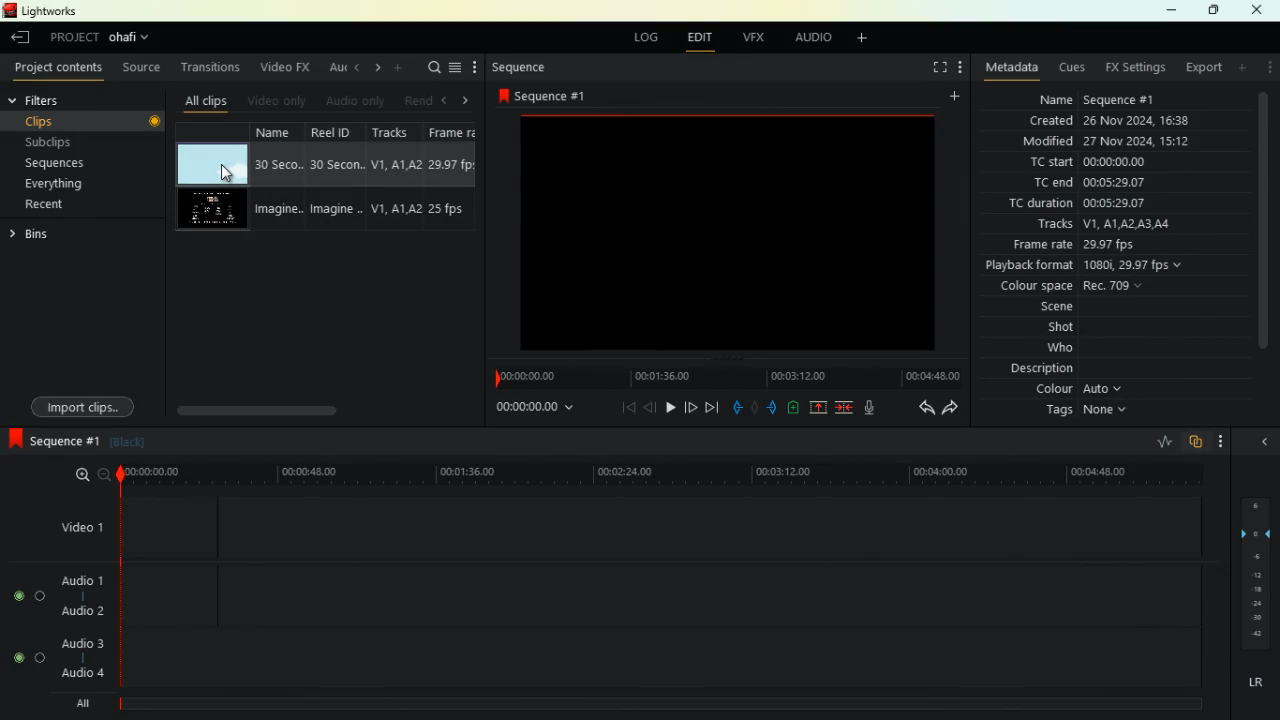  I want to click on sequence, so click(51, 441).